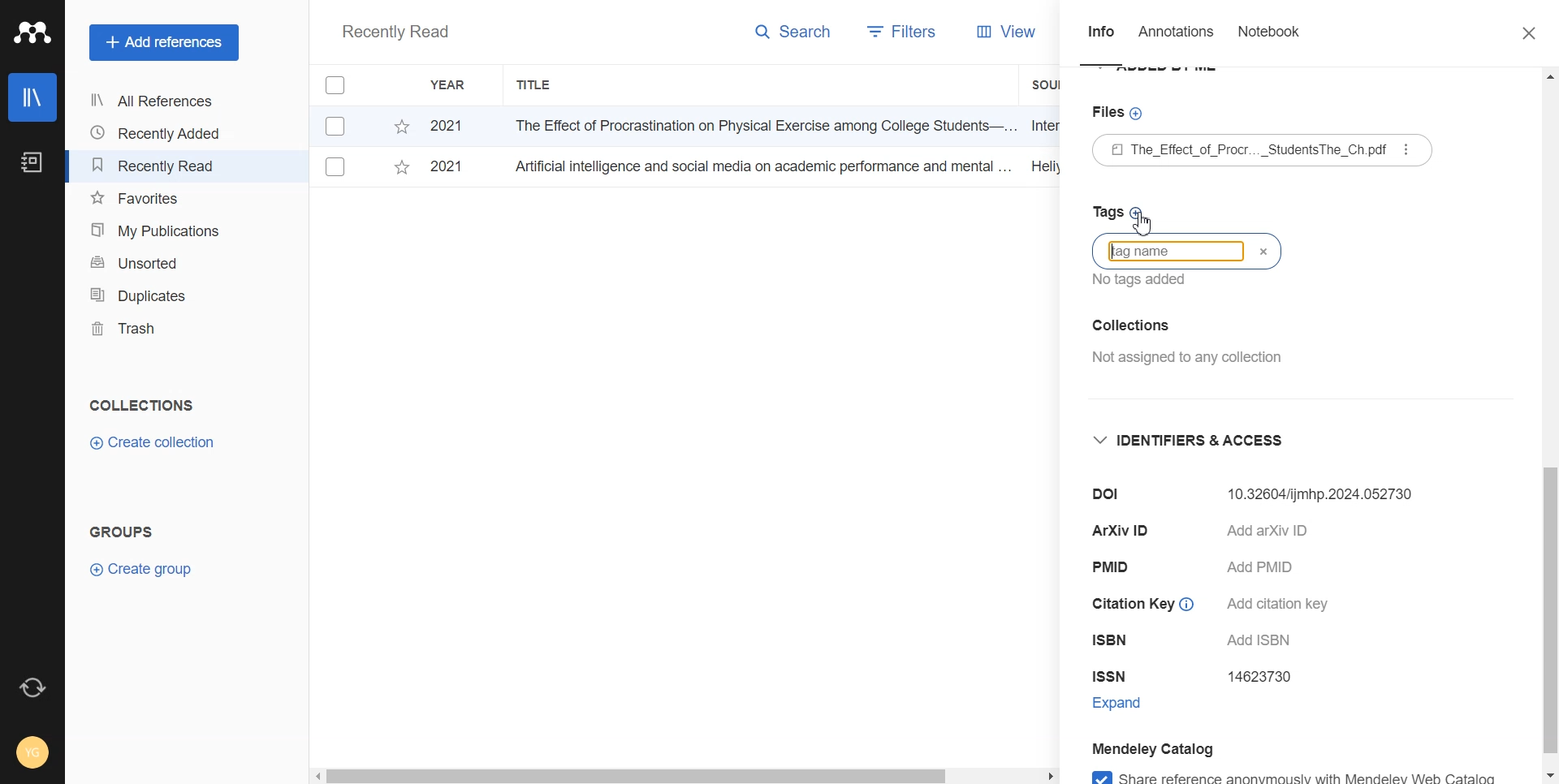  What do you see at coordinates (446, 165) in the screenshot?
I see `2021` at bounding box center [446, 165].